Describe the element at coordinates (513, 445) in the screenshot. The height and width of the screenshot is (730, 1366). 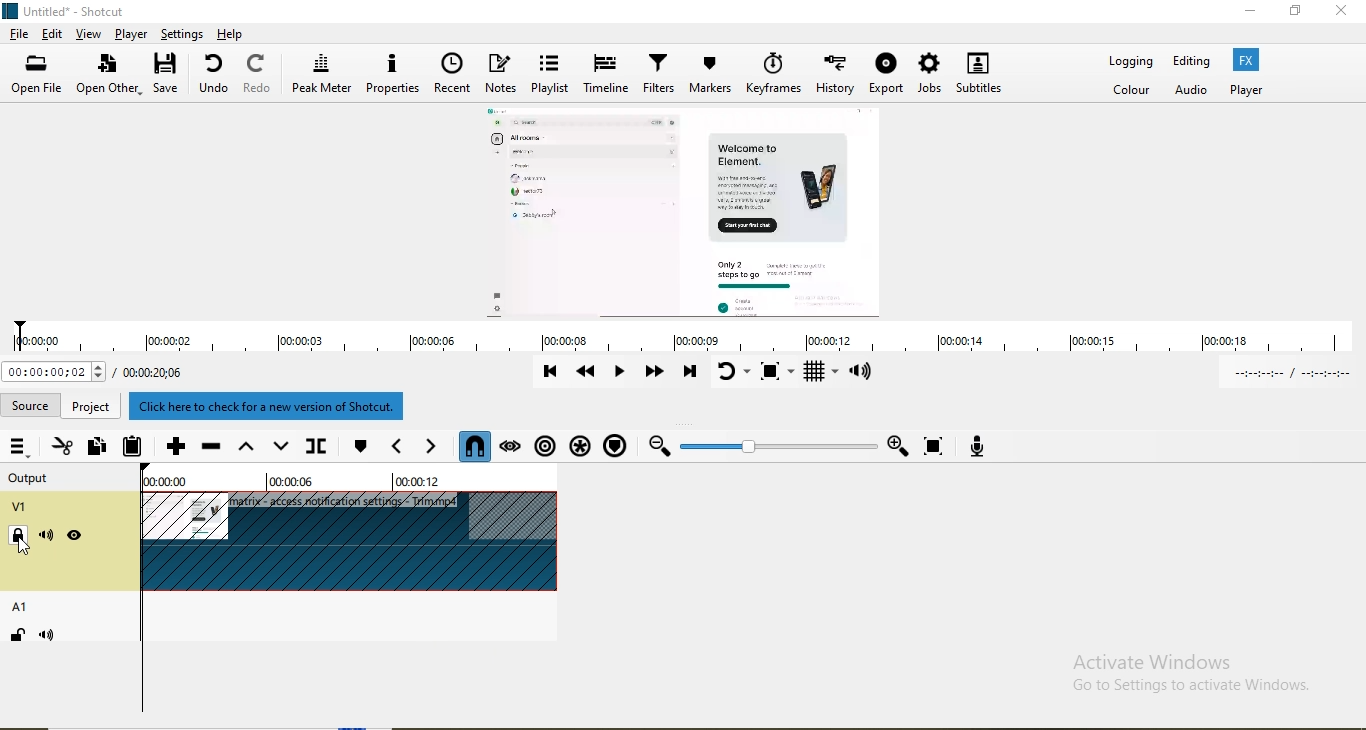
I see `Scrub while dragging` at that location.